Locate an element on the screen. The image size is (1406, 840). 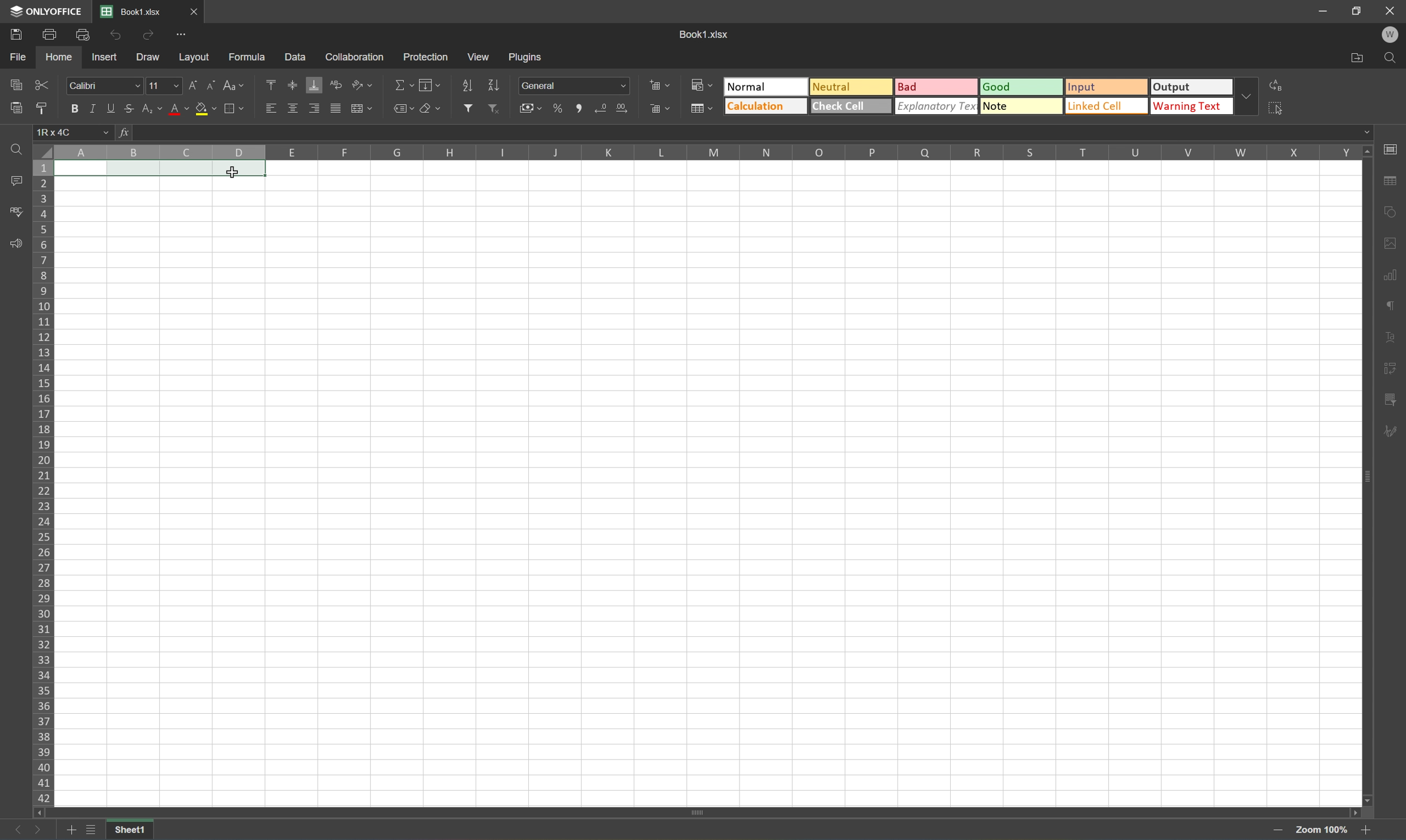
Bold is located at coordinates (73, 107).